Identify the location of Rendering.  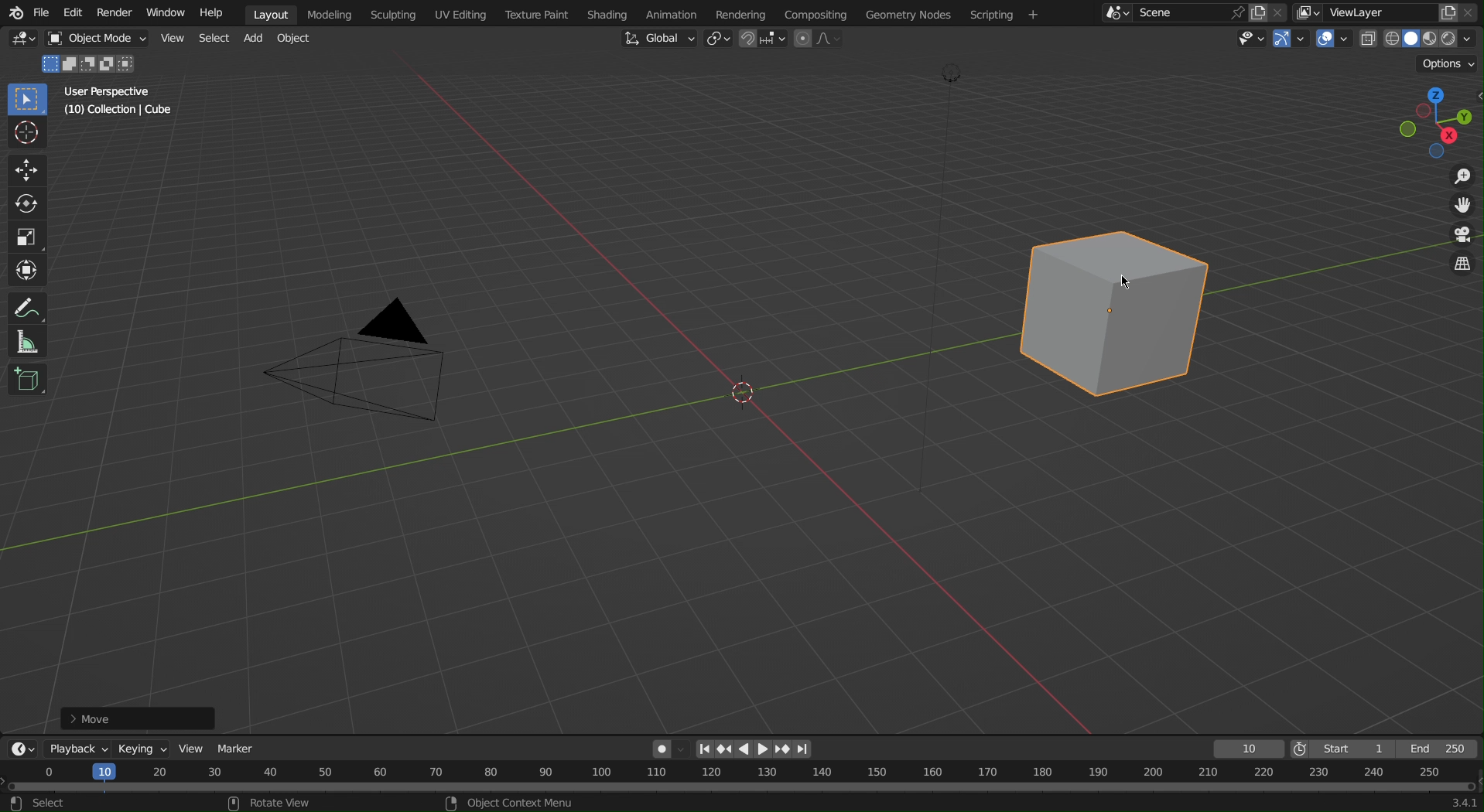
(746, 14).